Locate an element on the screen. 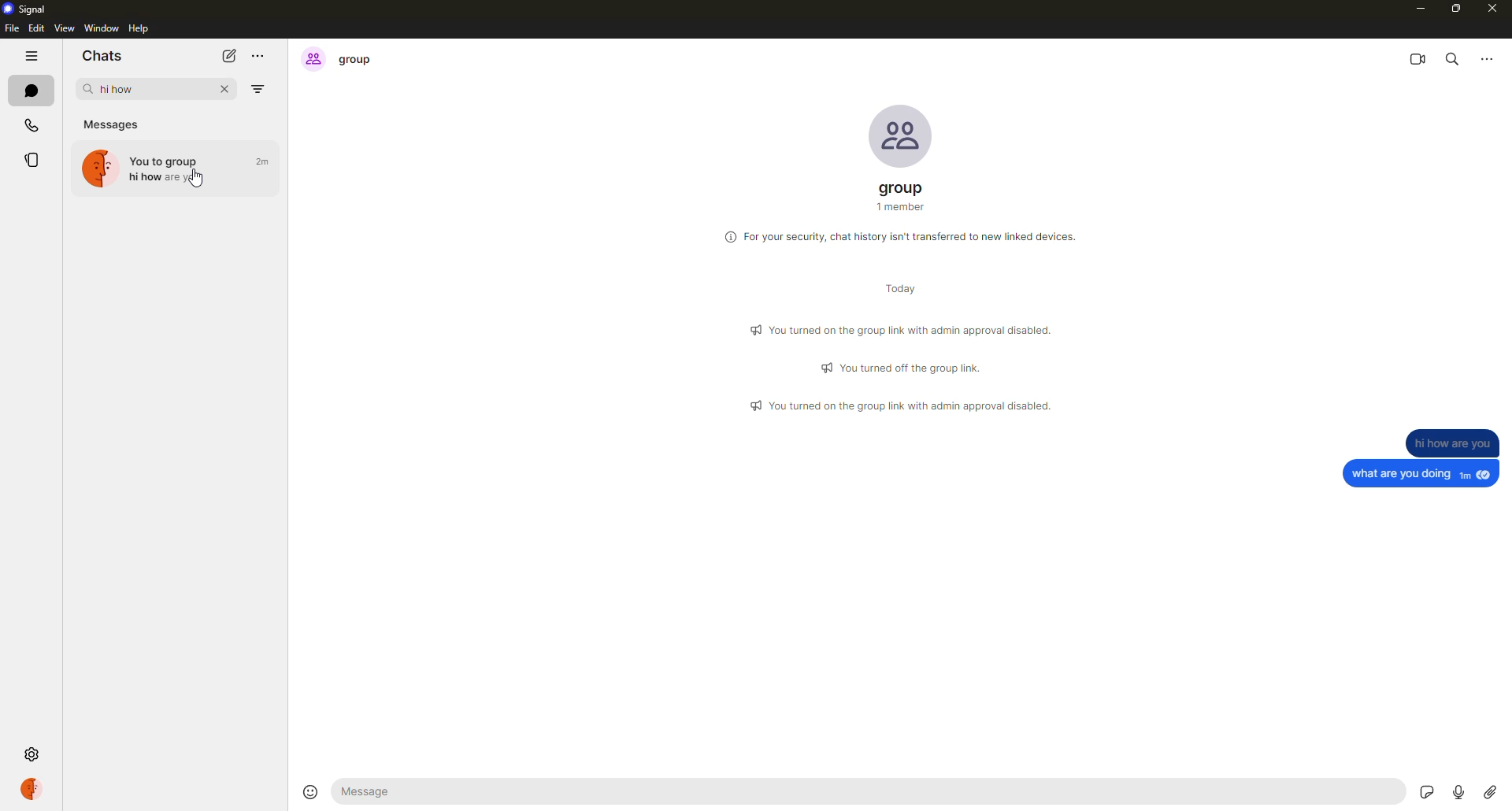 This screenshot has width=1512, height=811. signal is located at coordinates (28, 9).